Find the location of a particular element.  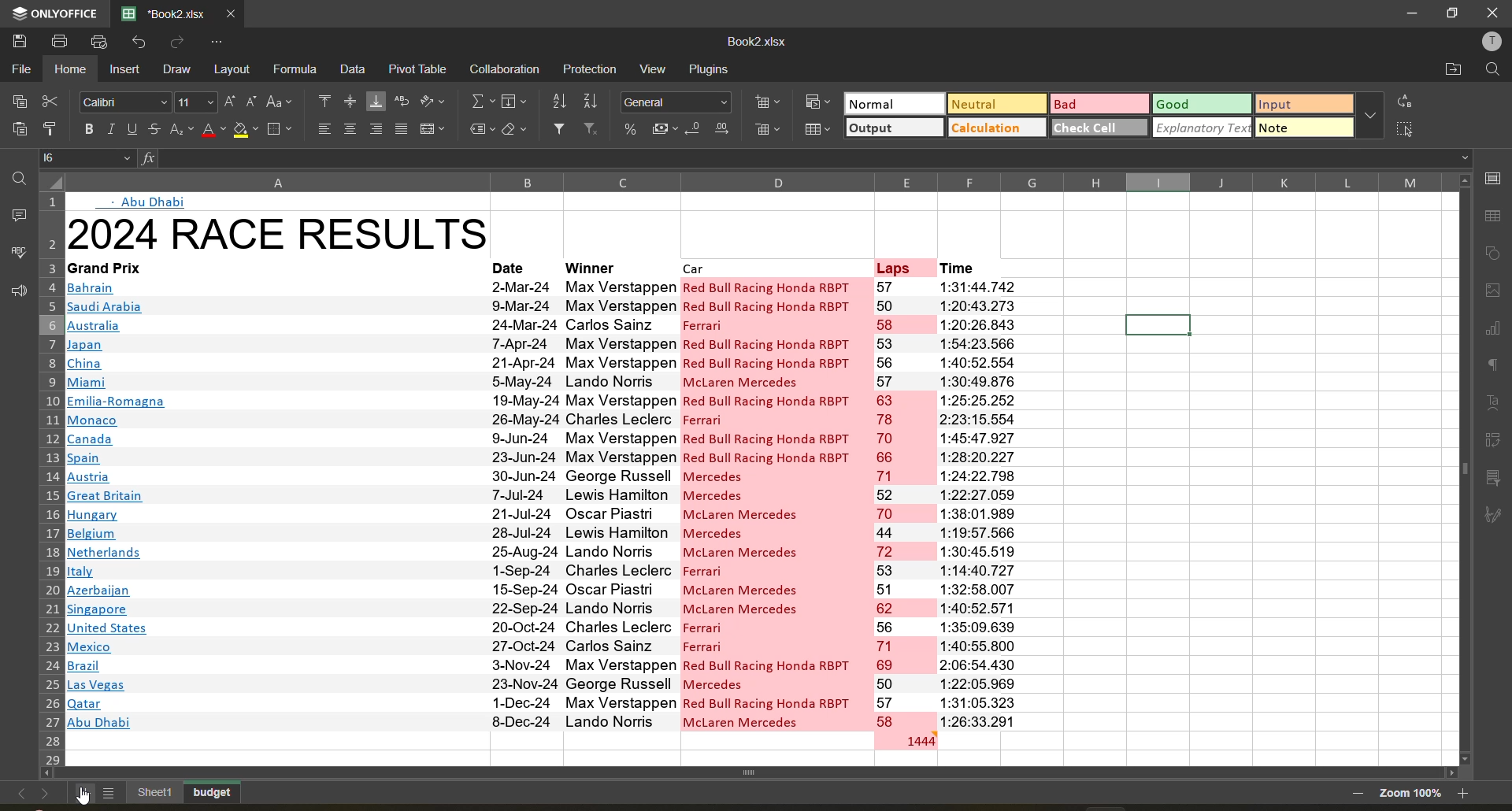

pivot table is located at coordinates (420, 71).